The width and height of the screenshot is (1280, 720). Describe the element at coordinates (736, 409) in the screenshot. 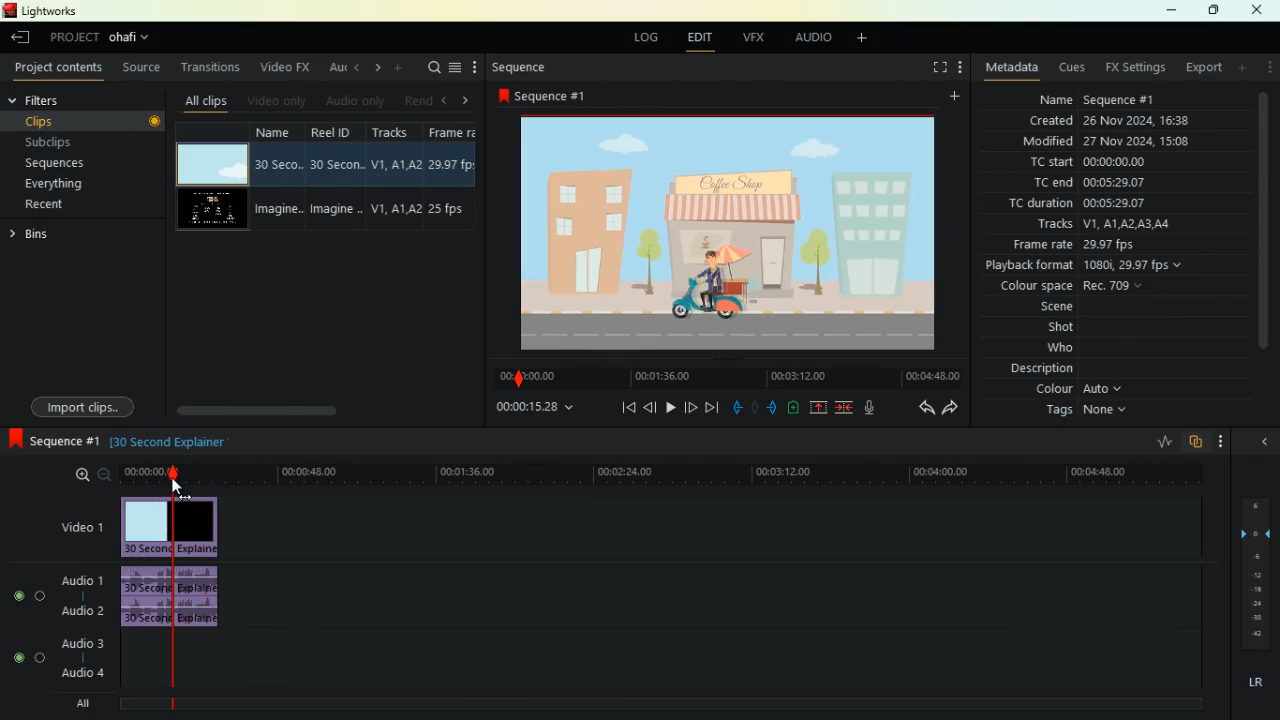

I see `pull` at that location.